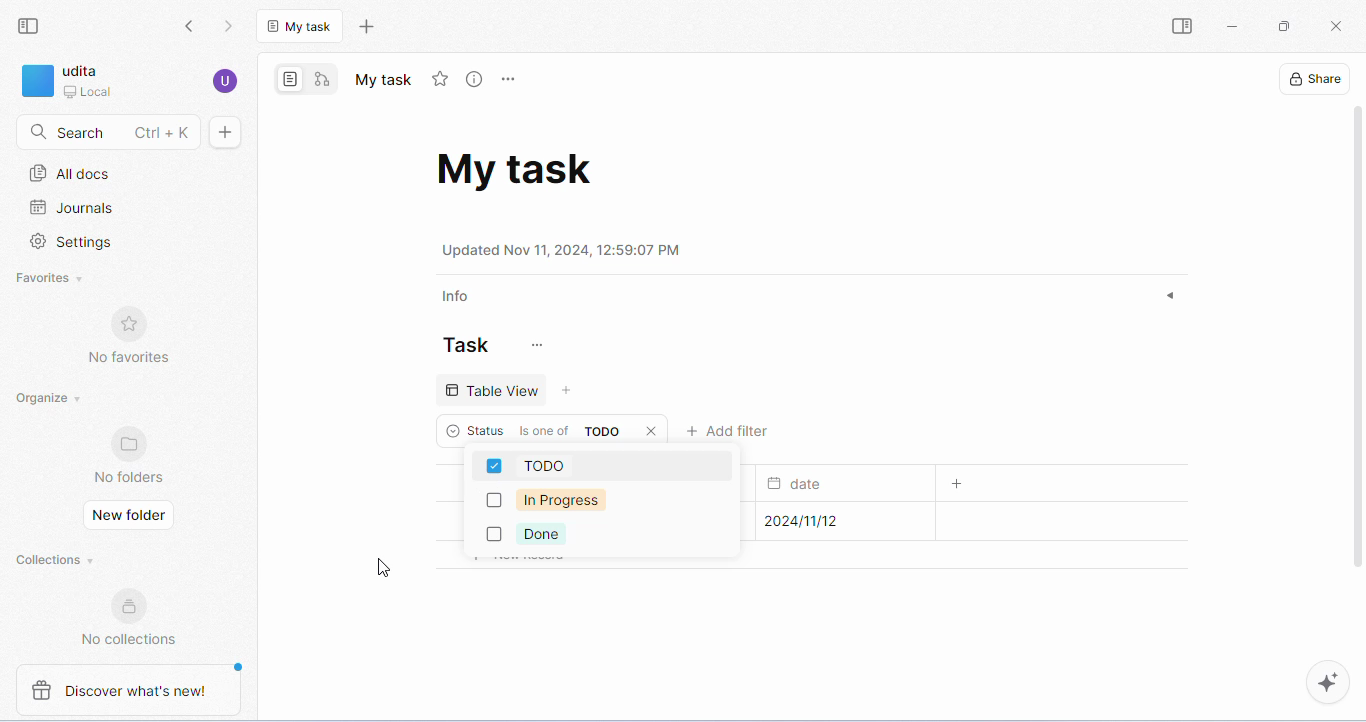 This screenshot has width=1366, height=722. Describe the element at coordinates (540, 534) in the screenshot. I see `done` at that location.